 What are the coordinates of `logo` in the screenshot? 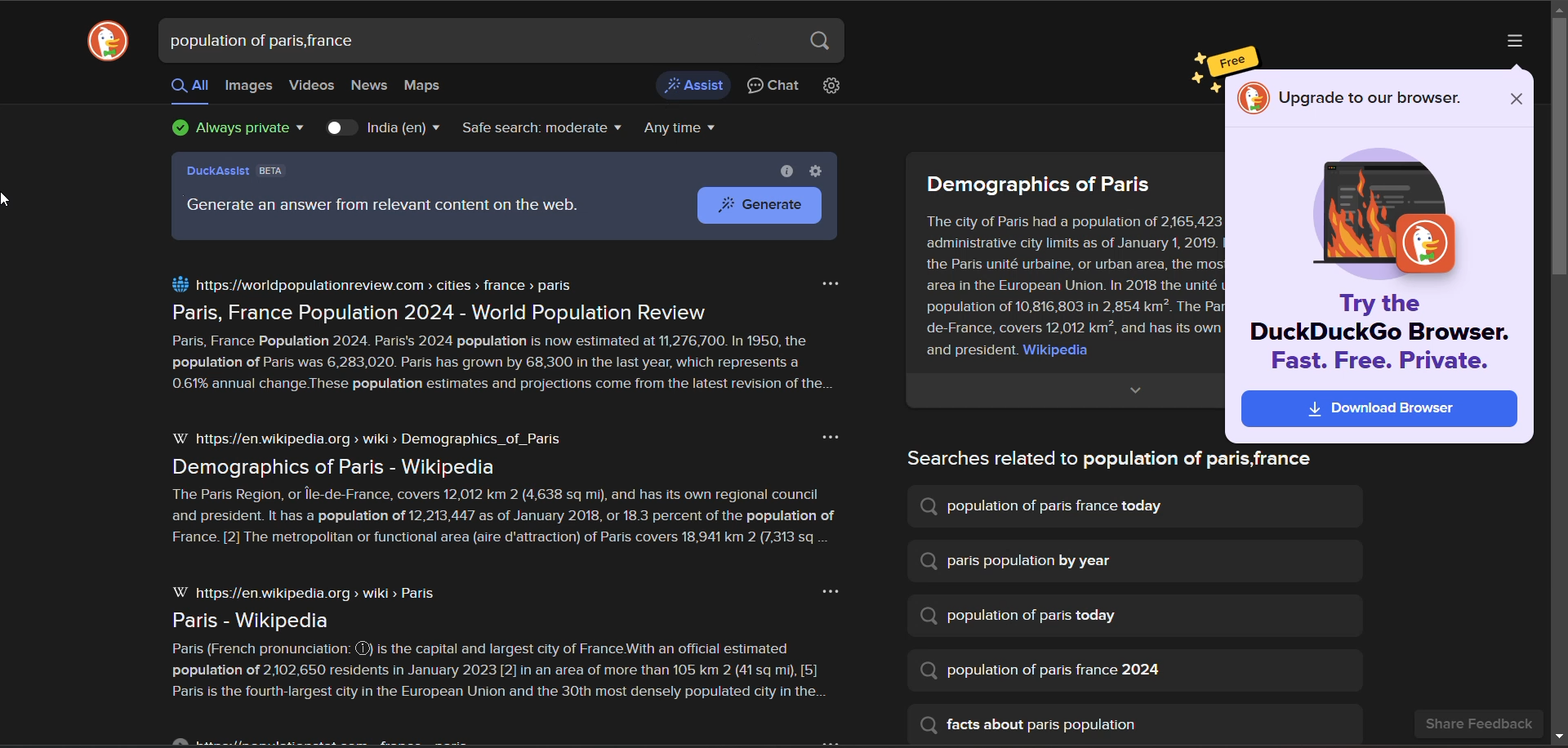 It's located at (103, 44).